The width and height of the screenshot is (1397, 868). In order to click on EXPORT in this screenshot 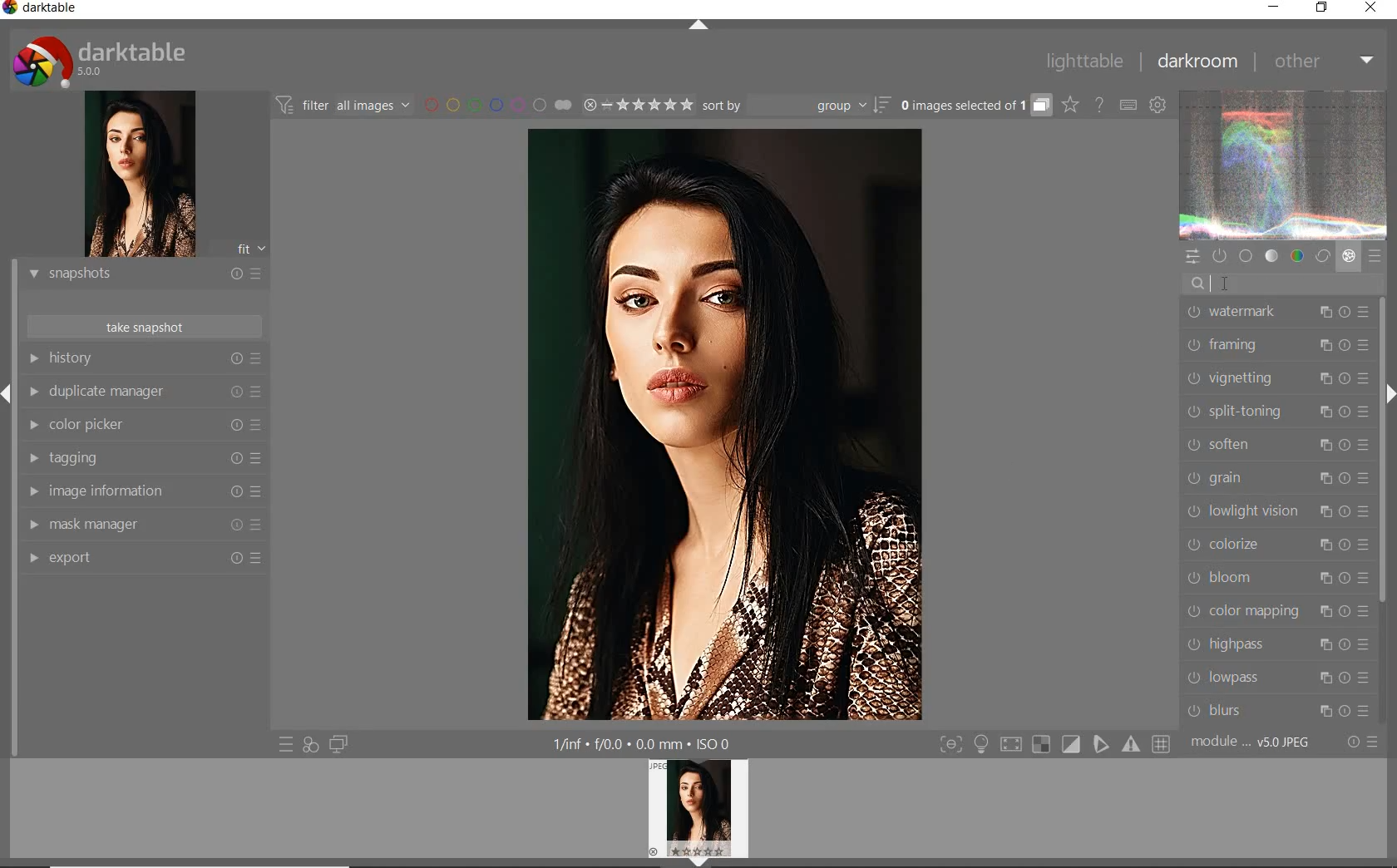, I will do `click(140, 559)`.